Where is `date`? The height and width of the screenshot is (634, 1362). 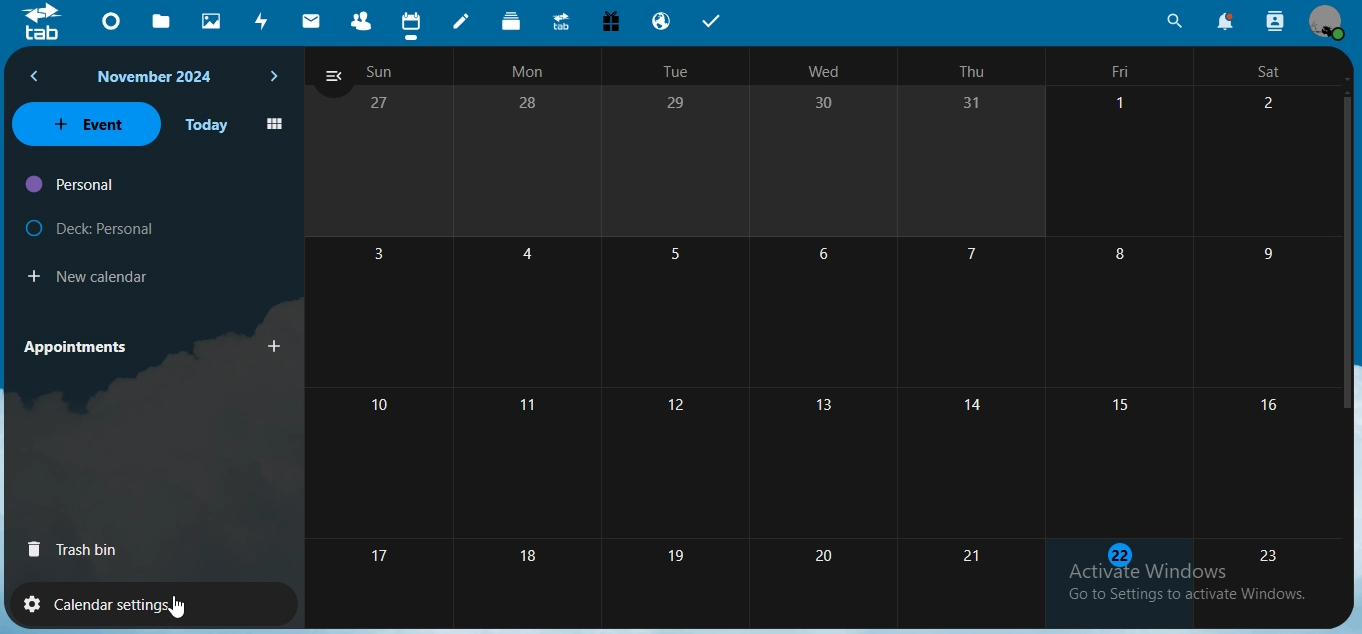
date is located at coordinates (819, 326).